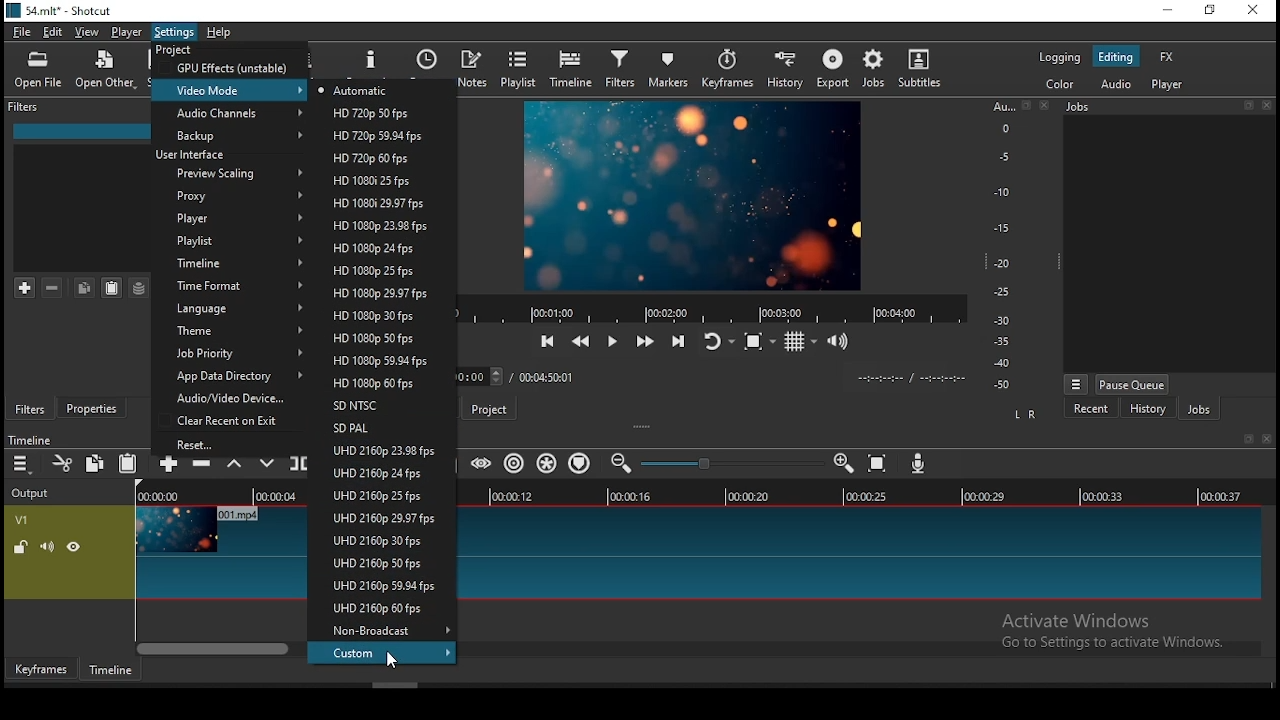 Image resolution: width=1280 pixels, height=720 pixels. I want to click on resolution option, so click(379, 429).